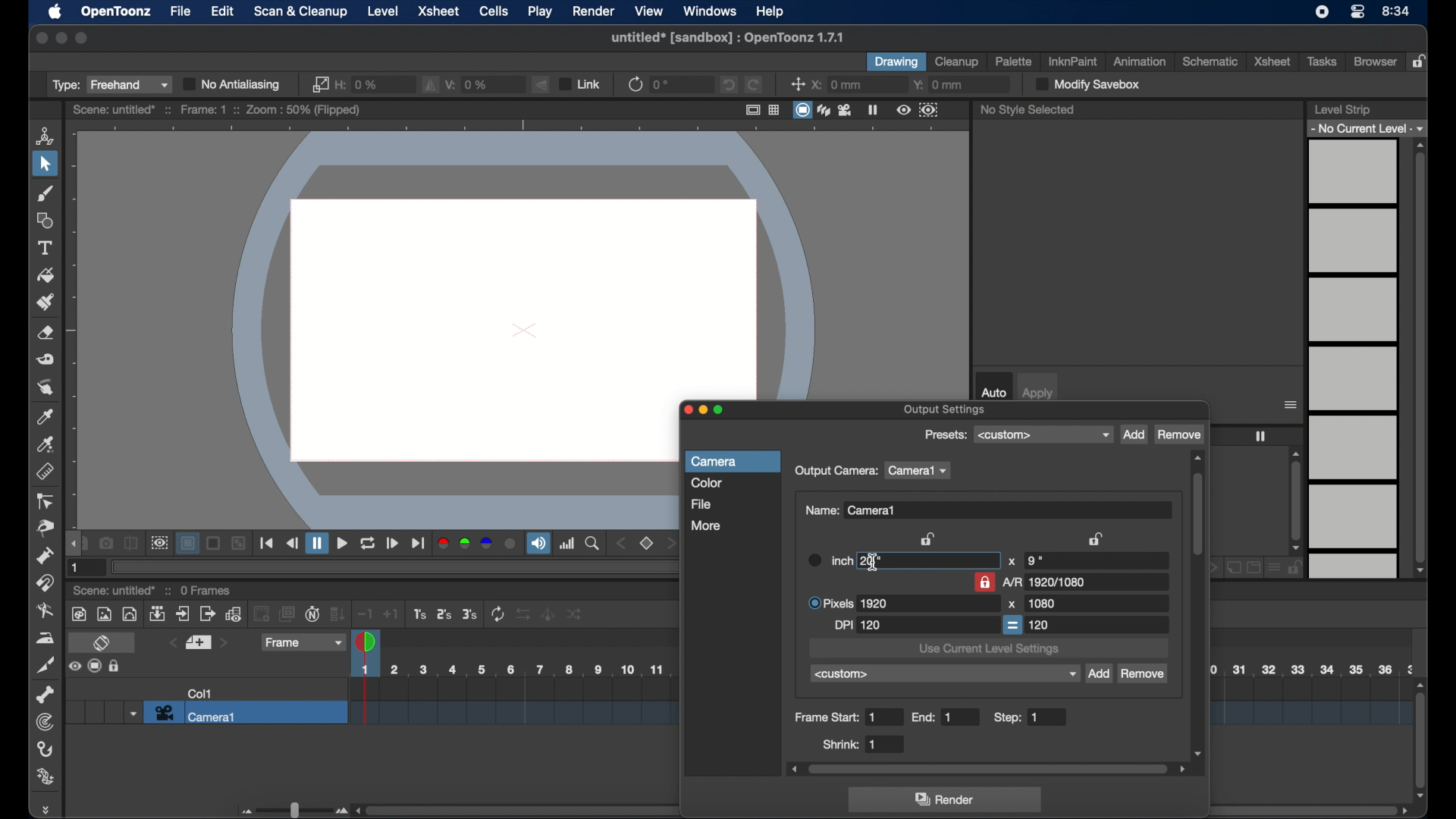  Describe the element at coordinates (44, 722) in the screenshot. I see `tracker tool` at that location.